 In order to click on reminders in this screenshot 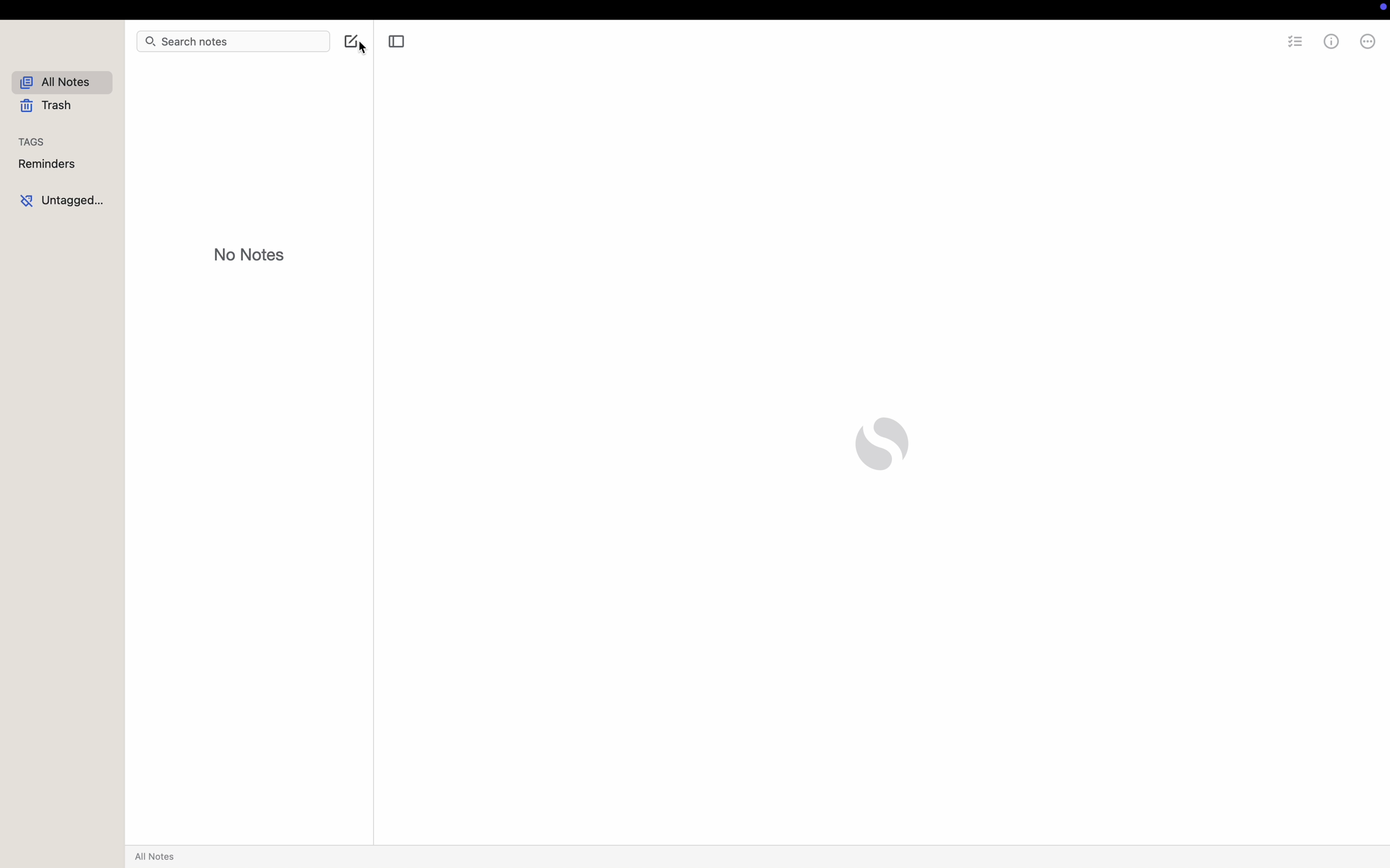, I will do `click(61, 165)`.